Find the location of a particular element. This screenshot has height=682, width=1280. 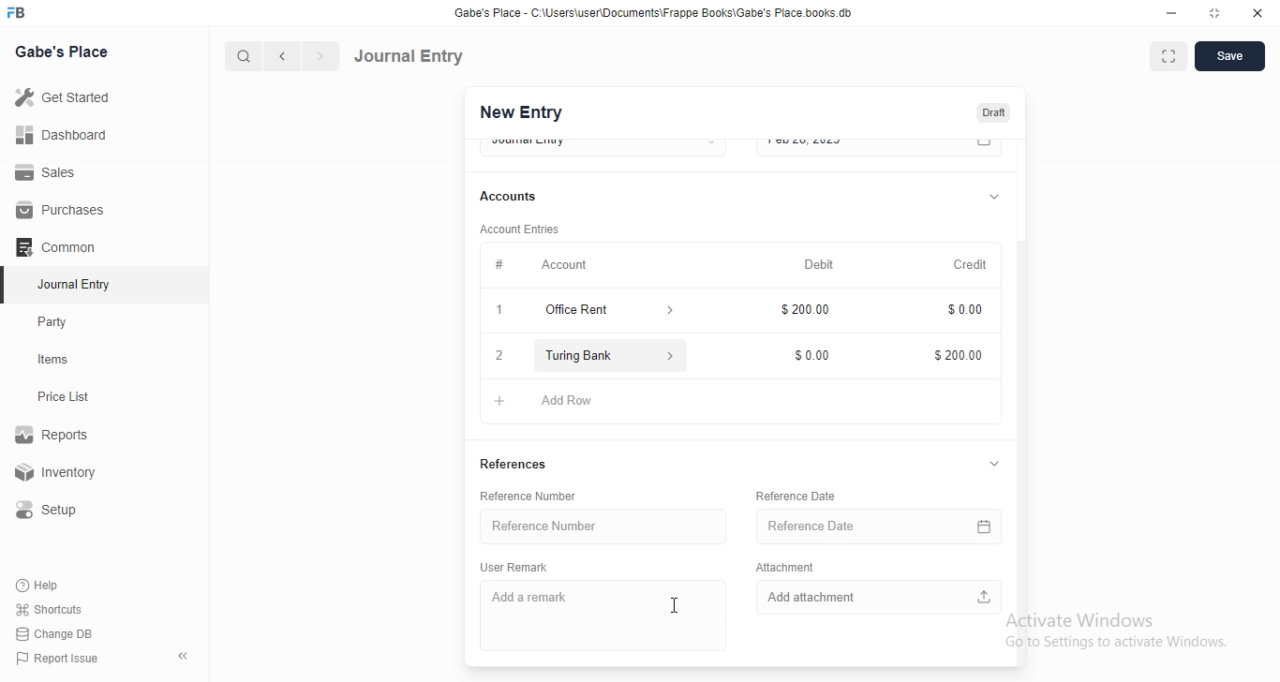

cursor is located at coordinates (681, 606).